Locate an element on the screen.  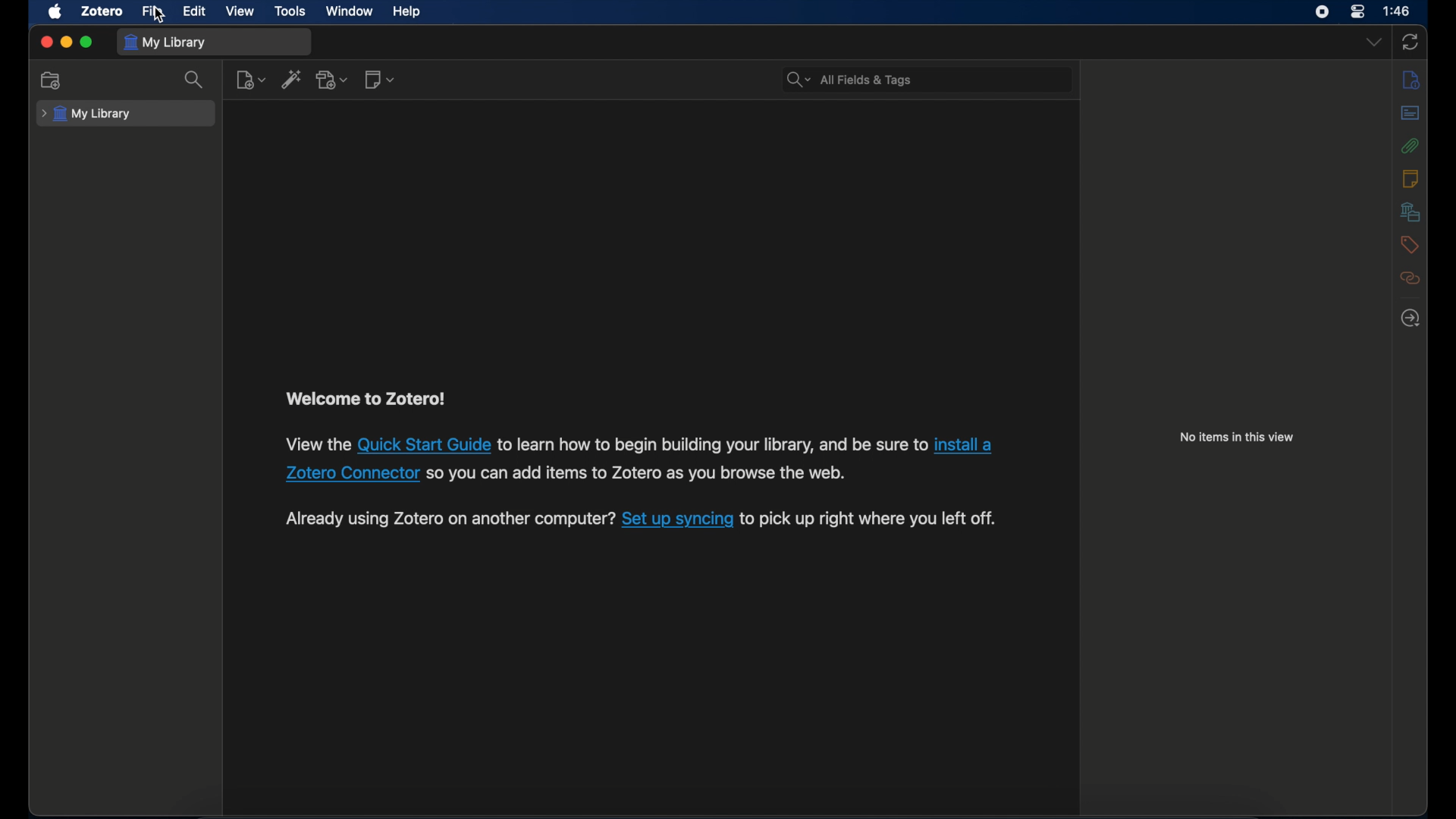
tools is located at coordinates (290, 10).